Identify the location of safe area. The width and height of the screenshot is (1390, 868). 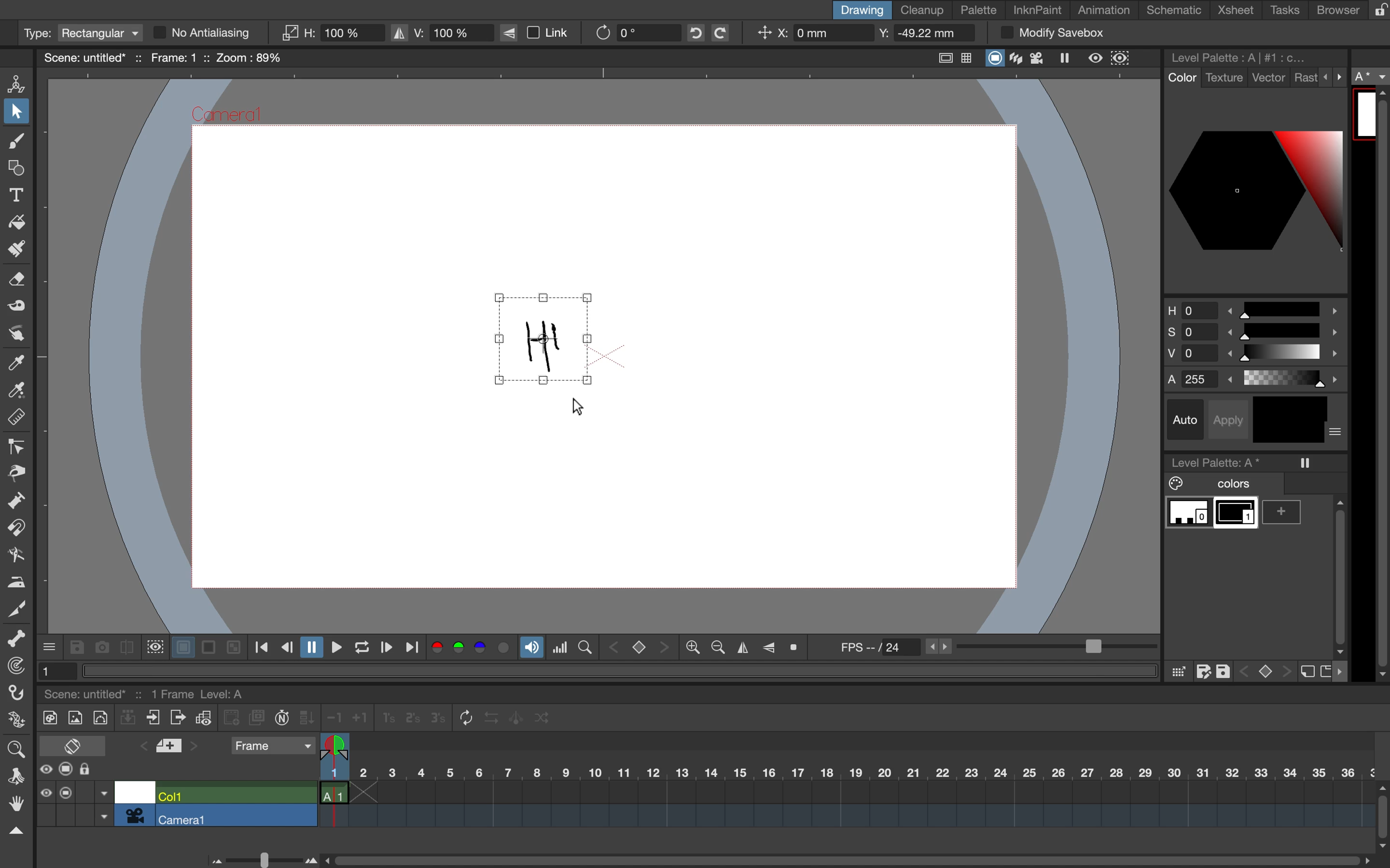
(942, 56).